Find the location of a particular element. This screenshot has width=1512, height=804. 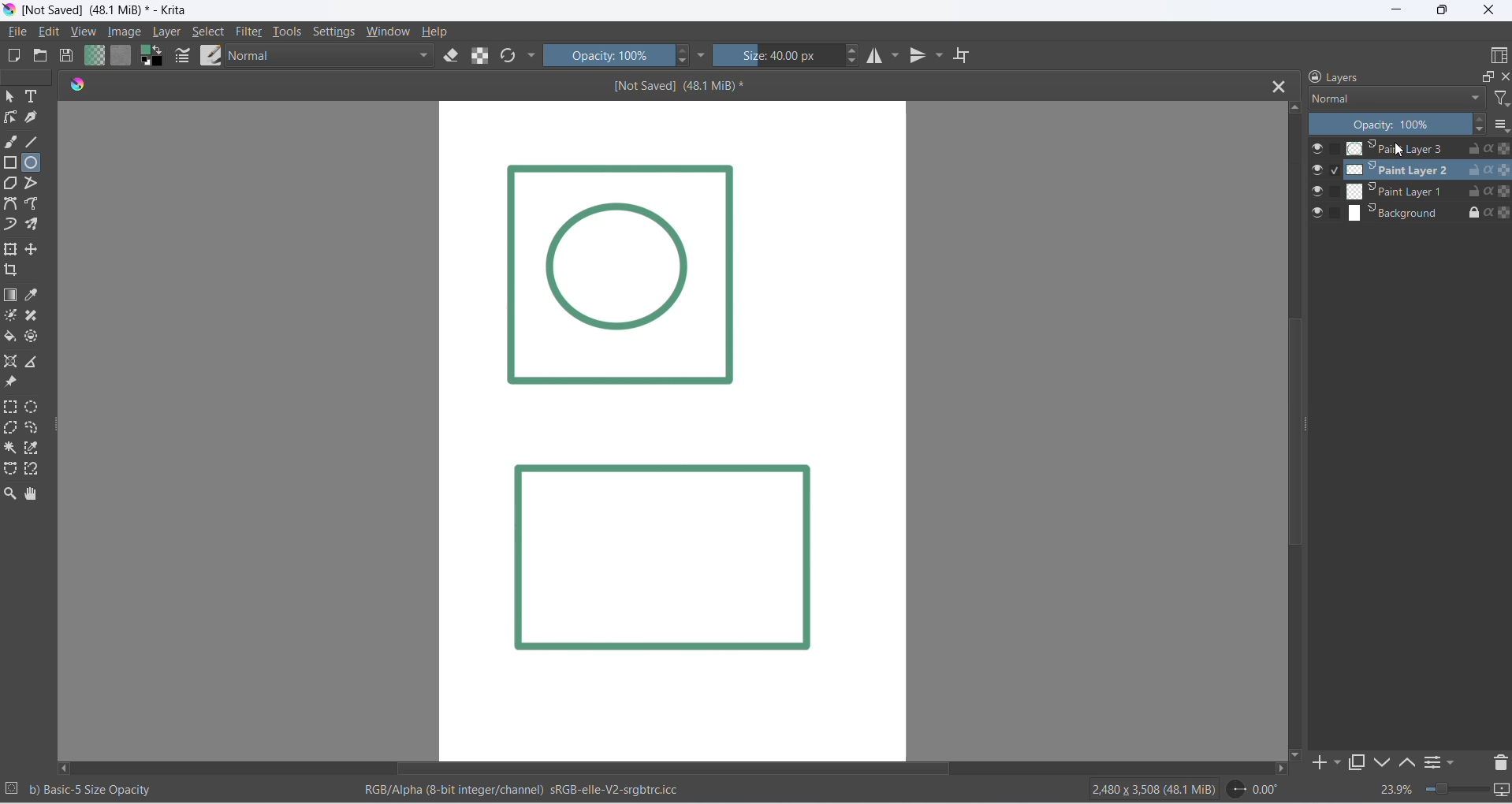

maximize is located at coordinates (1443, 12).